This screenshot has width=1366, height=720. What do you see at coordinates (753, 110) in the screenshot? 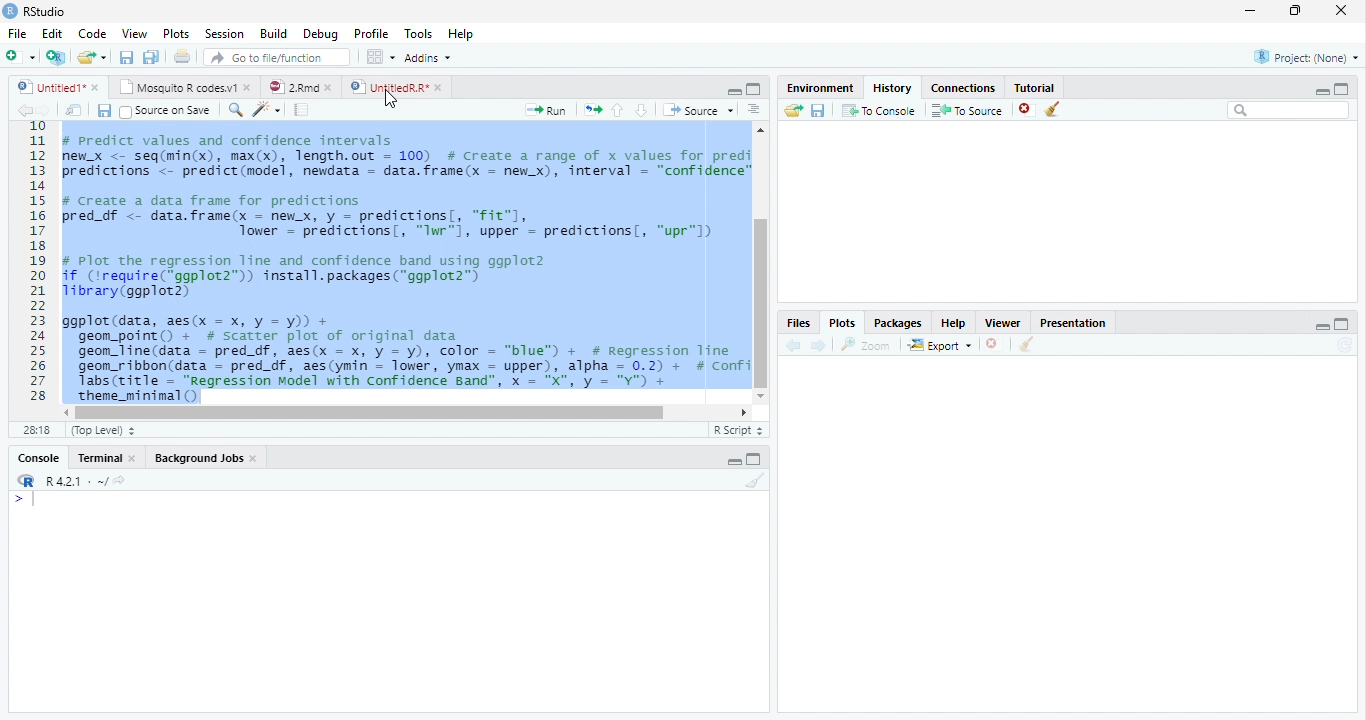
I see `Alignment` at bounding box center [753, 110].